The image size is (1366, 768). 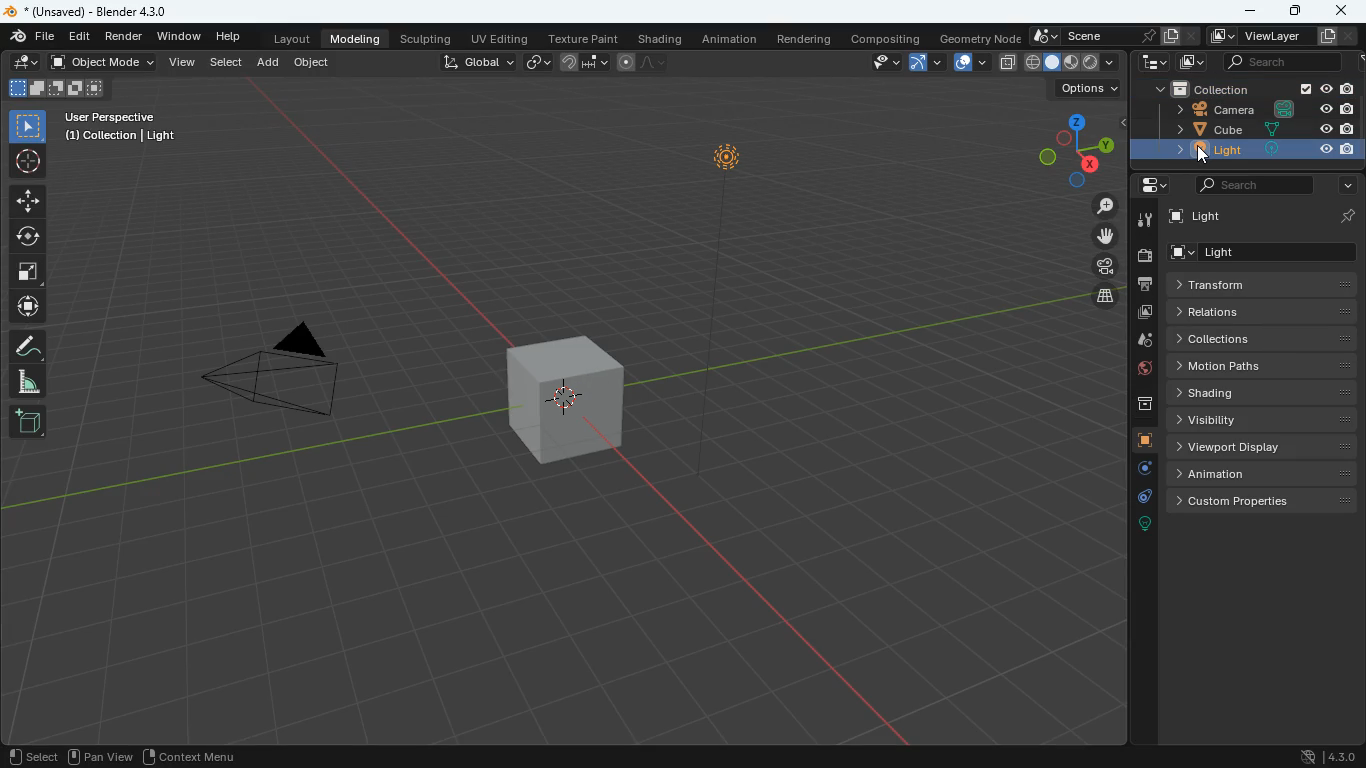 What do you see at coordinates (1264, 313) in the screenshot?
I see `relations` at bounding box center [1264, 313].